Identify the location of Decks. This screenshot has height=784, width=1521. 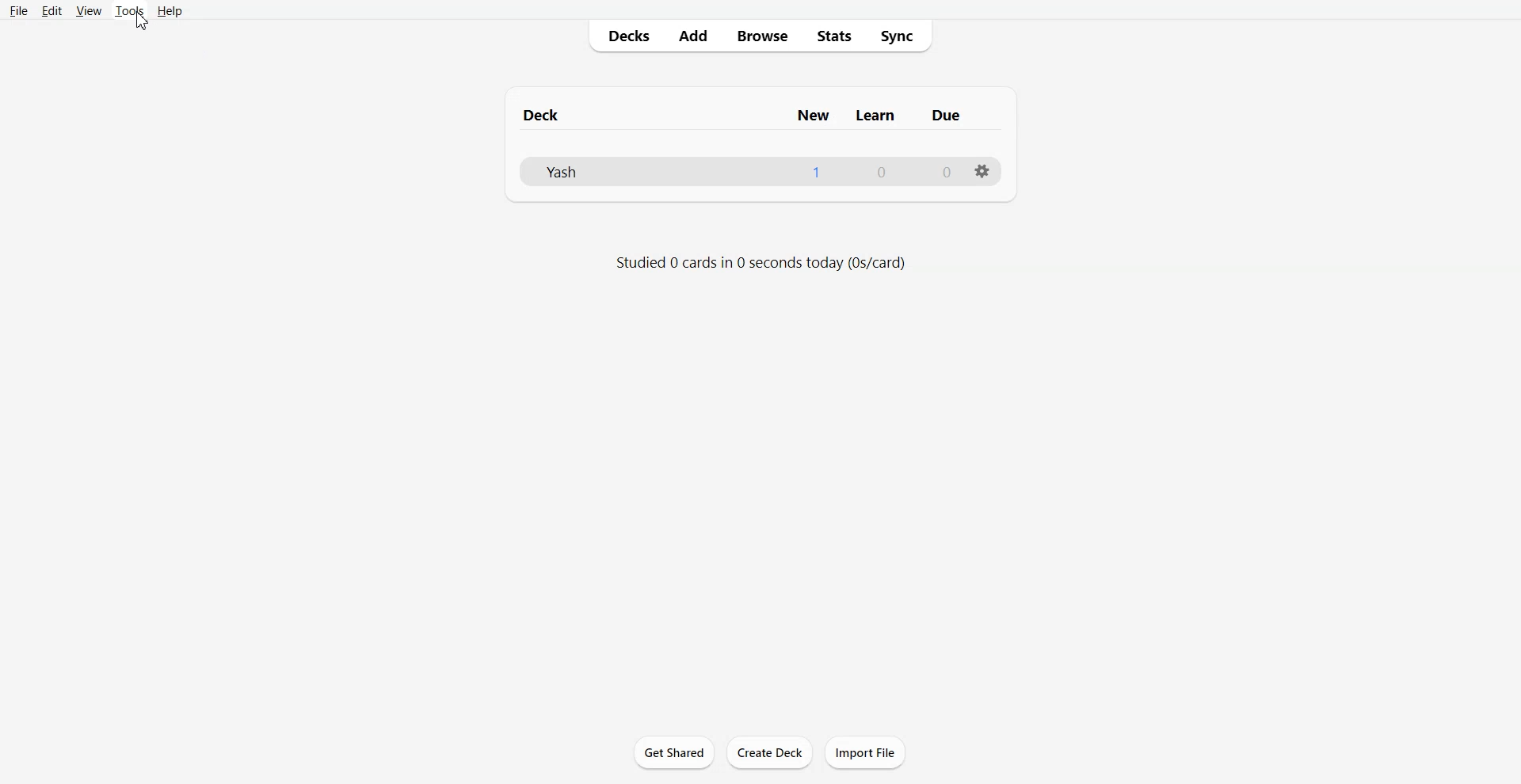
(625, 36).